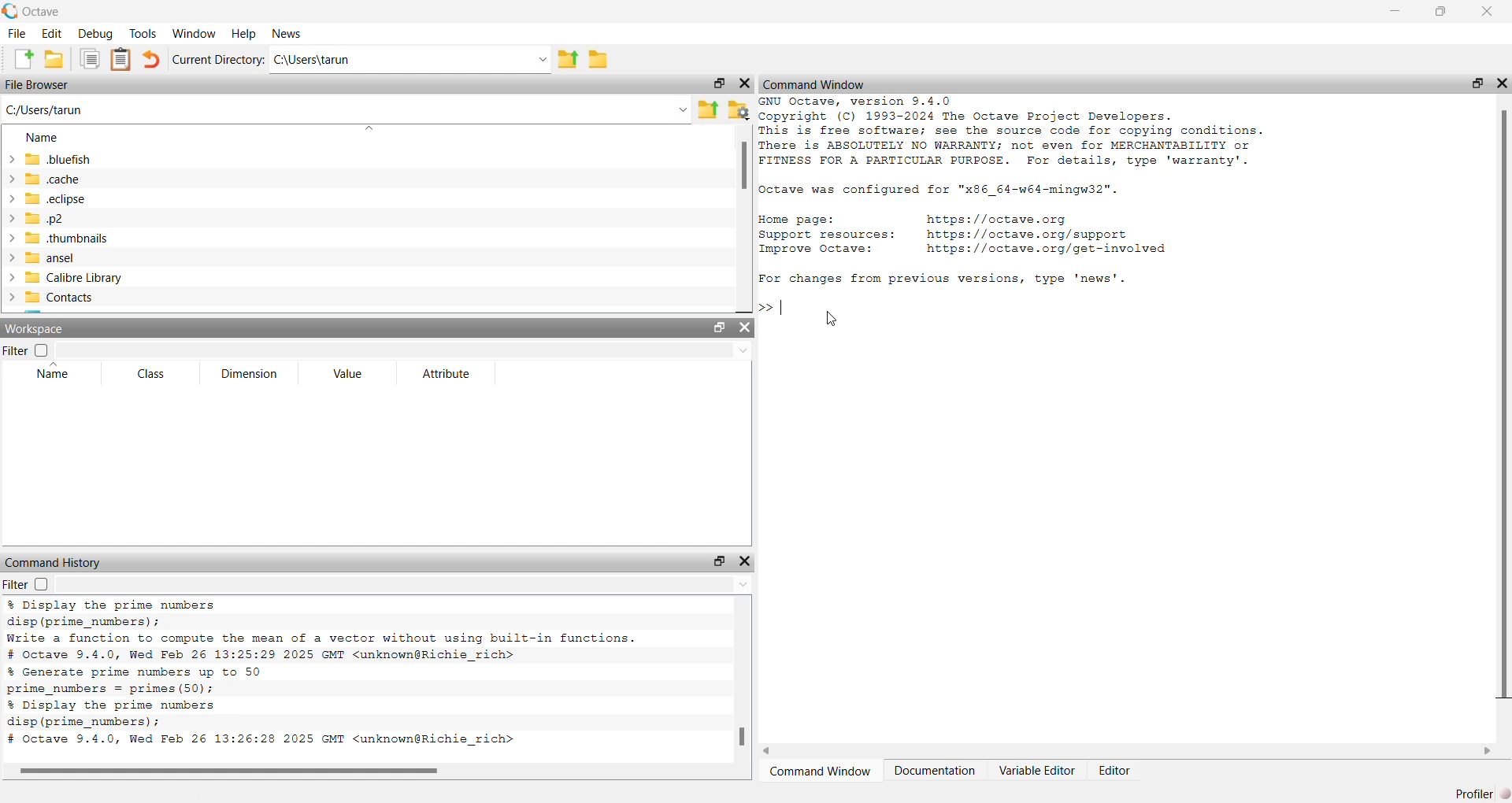 The width and height of the screenshot is (1512, 803). What do you see at coordinates (37, 85) in the screenshot?
I see `File Browser` at bounding box center [37, 85].